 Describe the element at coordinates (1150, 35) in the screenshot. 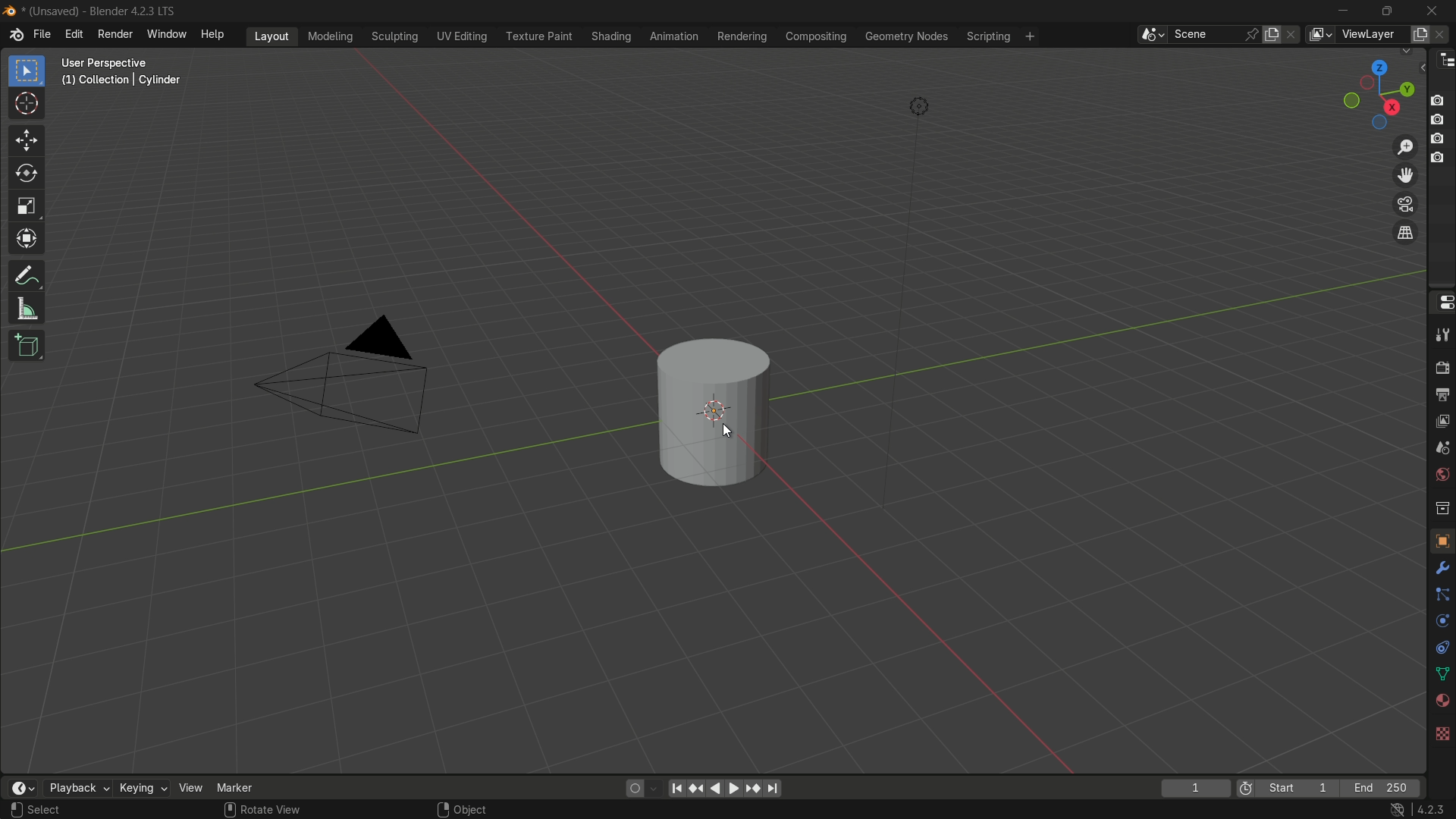

I see `browse scenes` at that location.